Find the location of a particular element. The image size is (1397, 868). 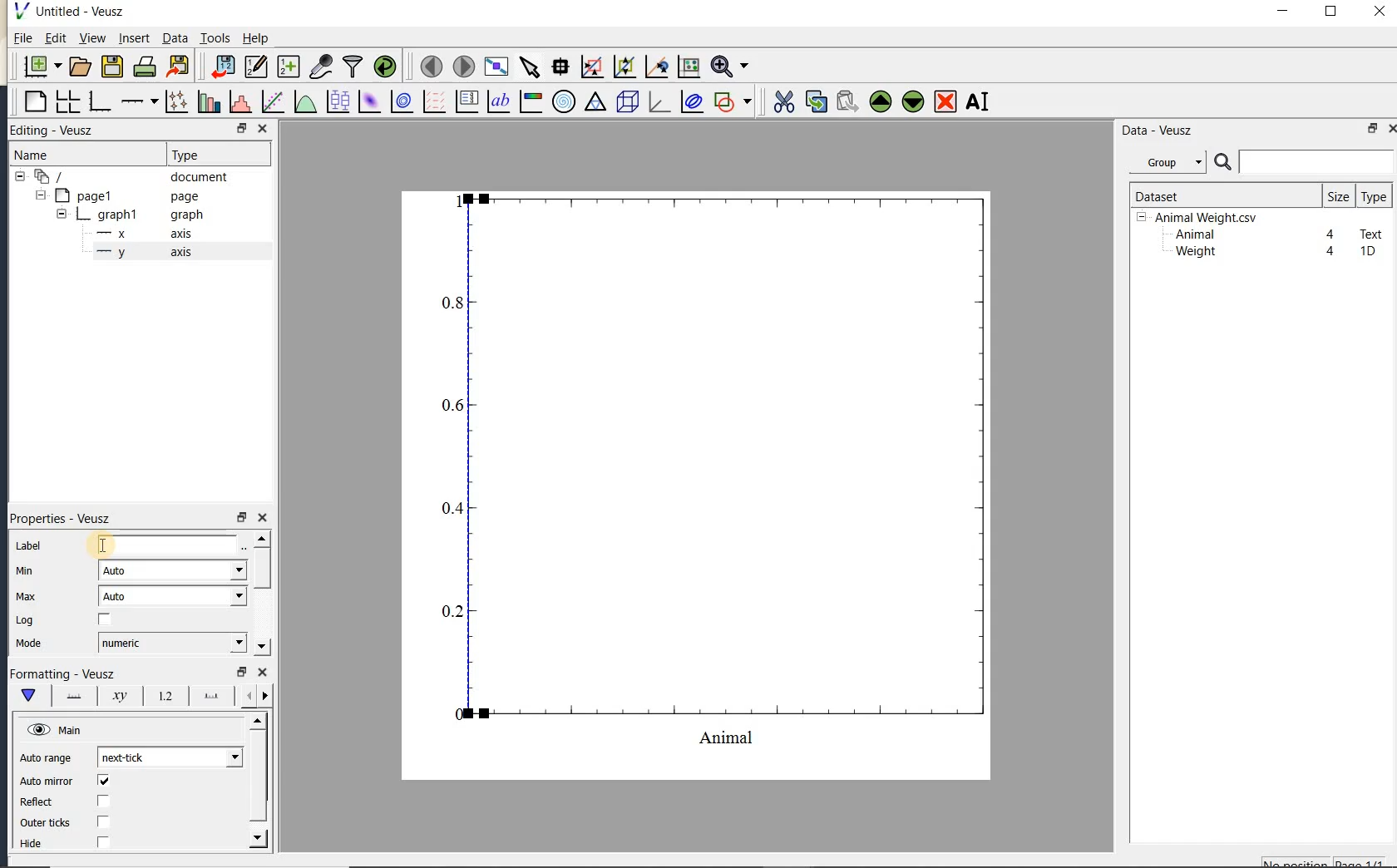

Mode is located at coordinates (28, 644).